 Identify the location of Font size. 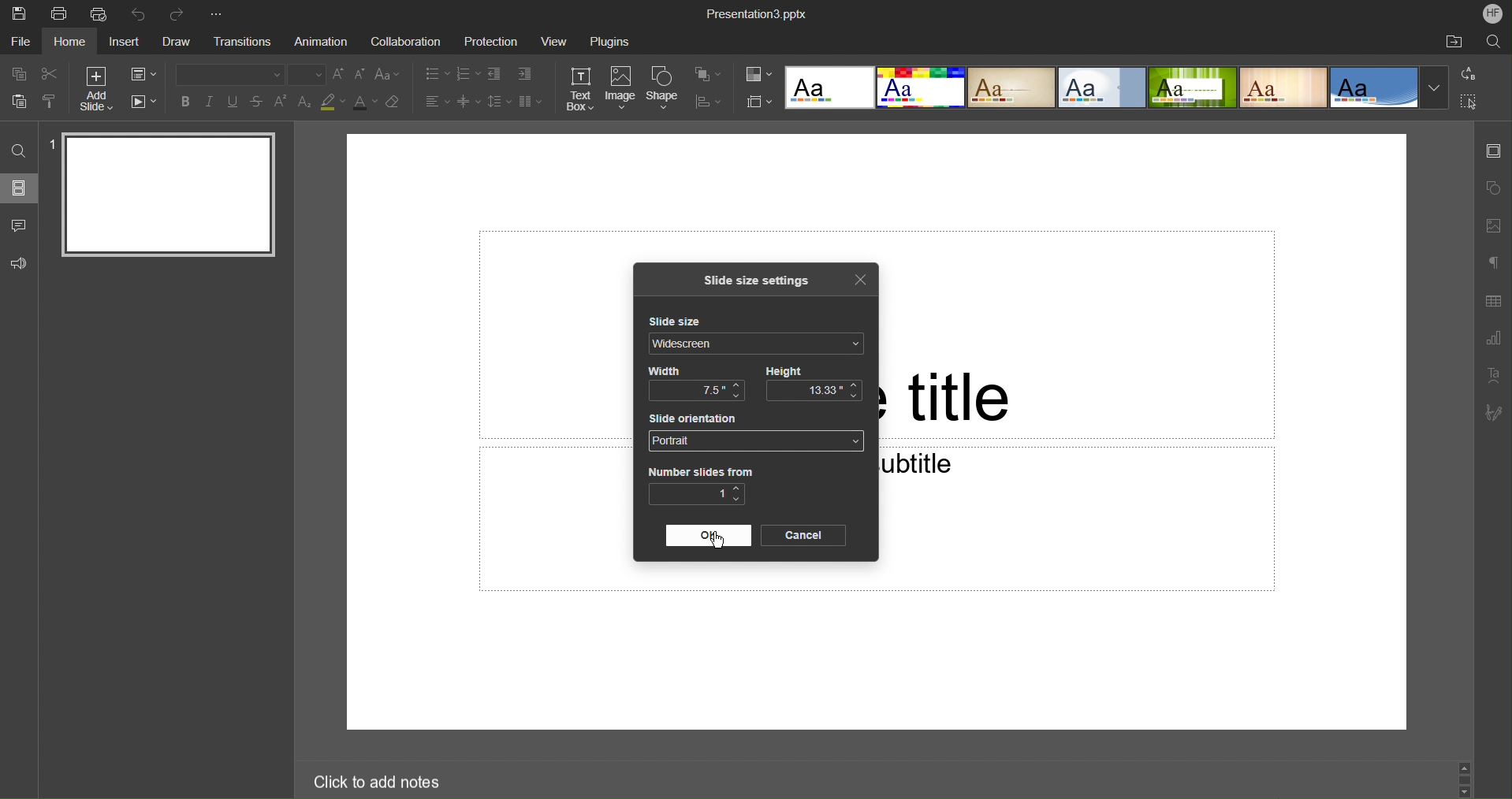
(307, 74).